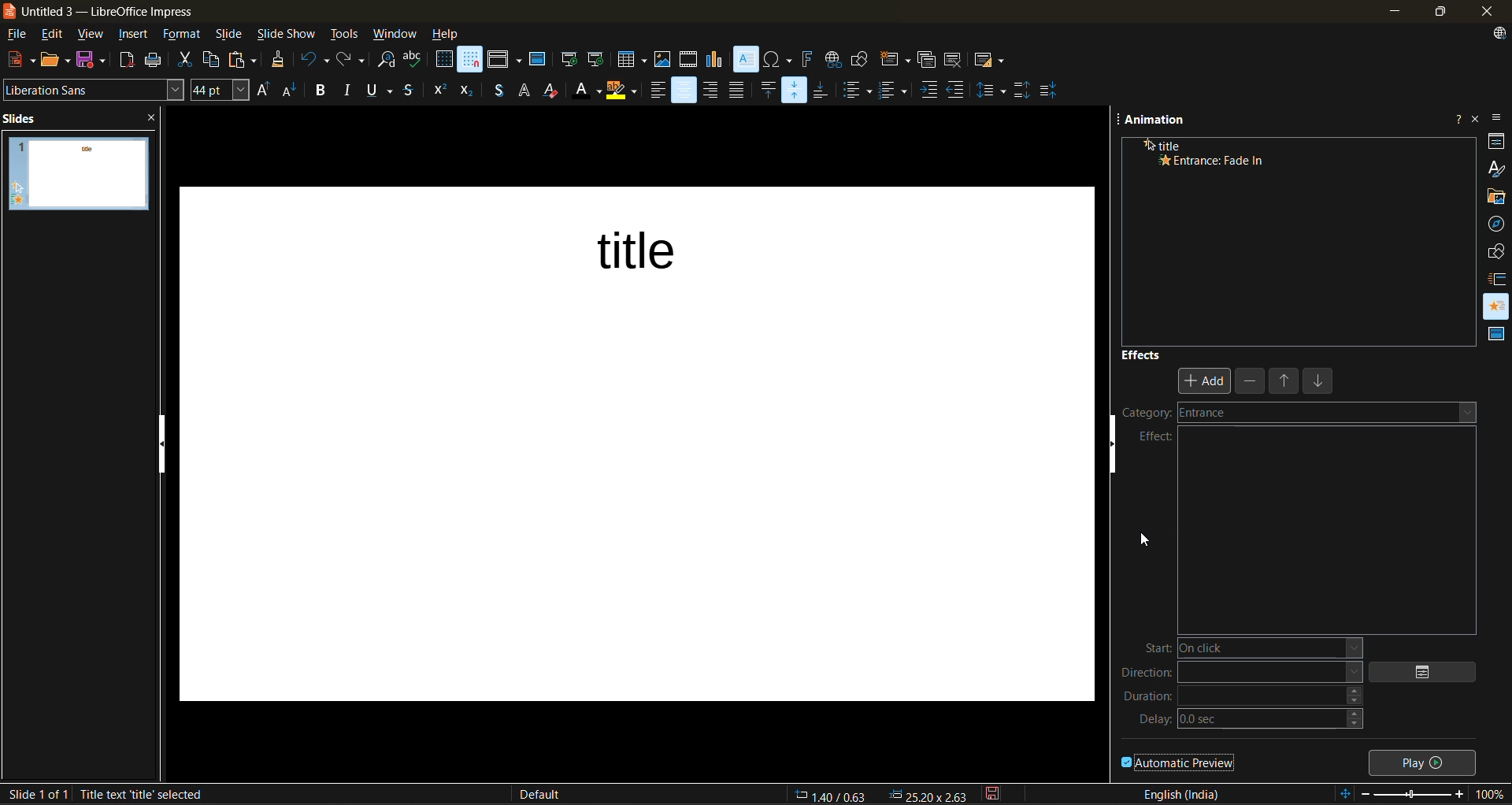  Describe the element at coordinates (387, 61) in the screenshot. I see `find and replace` at that location.